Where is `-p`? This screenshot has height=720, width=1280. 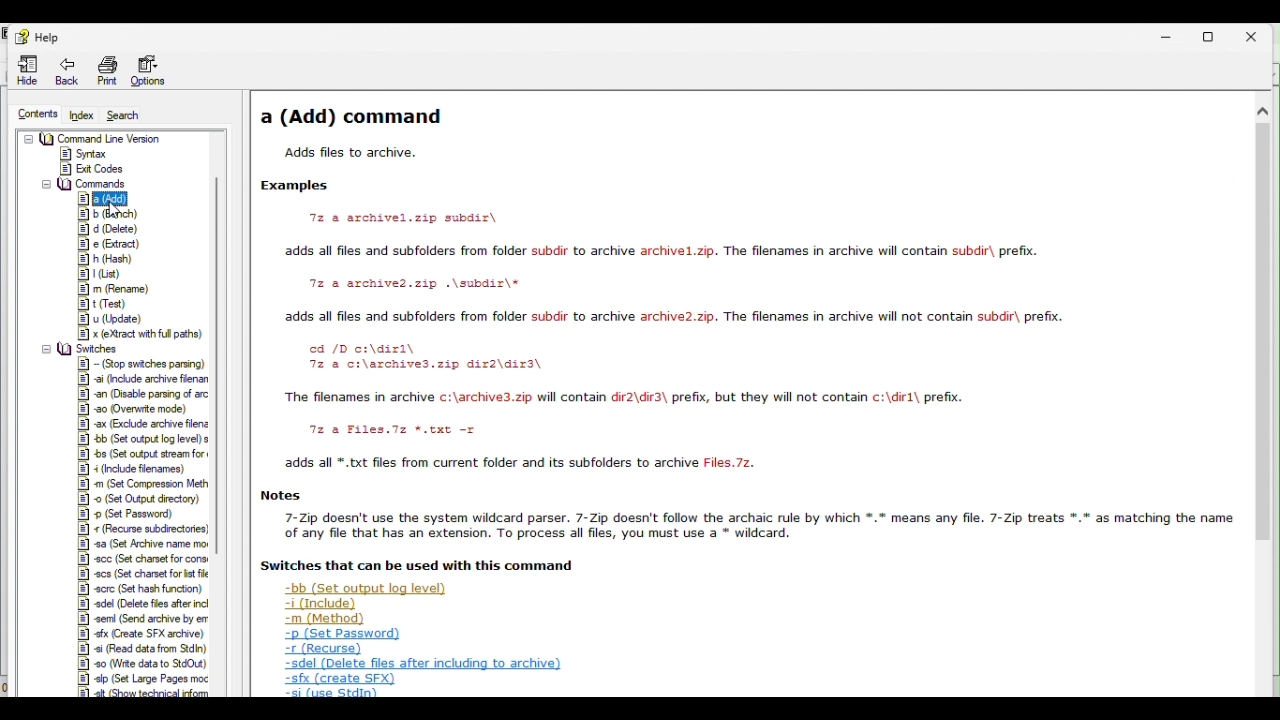 -p is located at coordinates (137, 513).